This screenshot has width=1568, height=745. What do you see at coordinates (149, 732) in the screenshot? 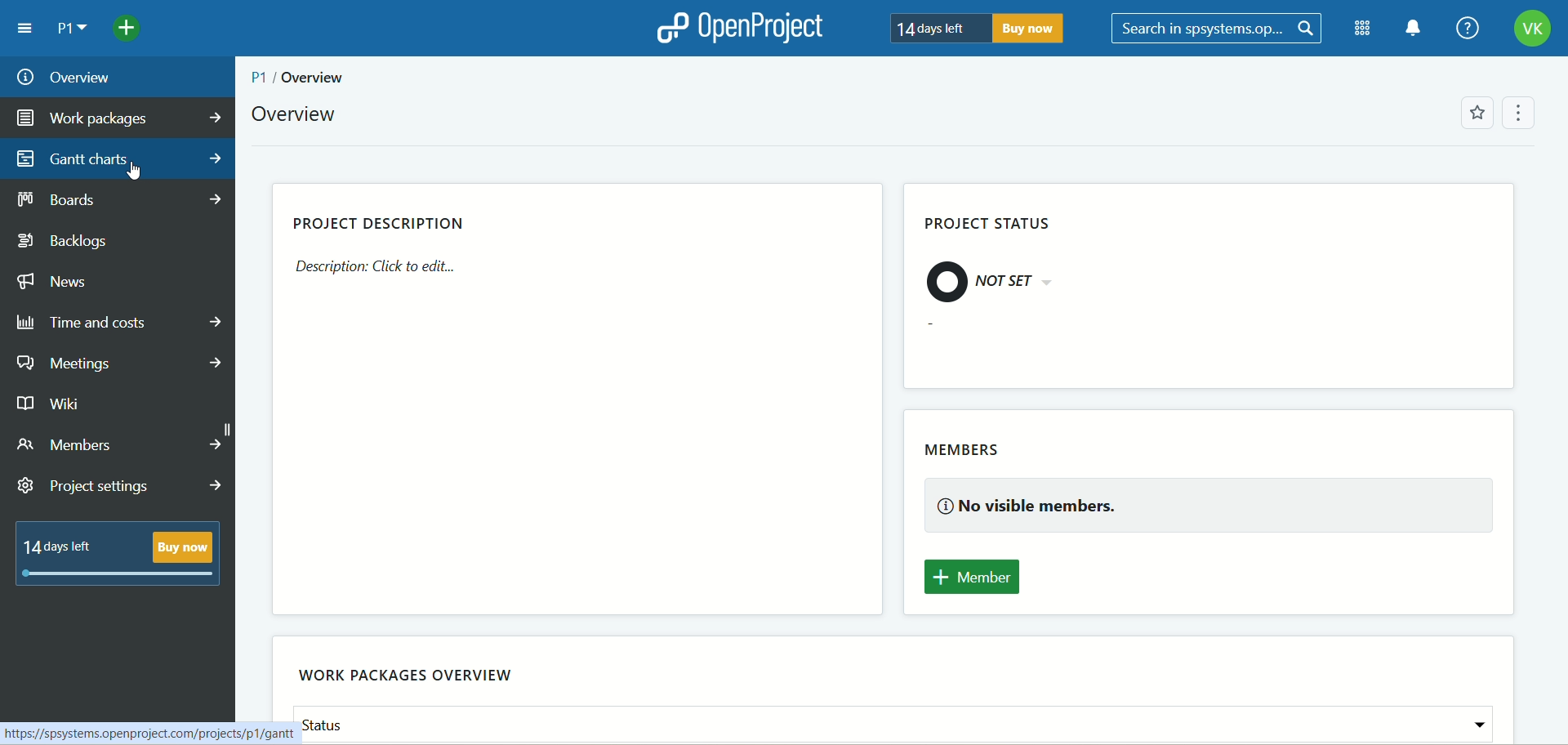
I see `https://spsystems.openproject.com/projects/p1/gant` at bounding box center [149, 732].